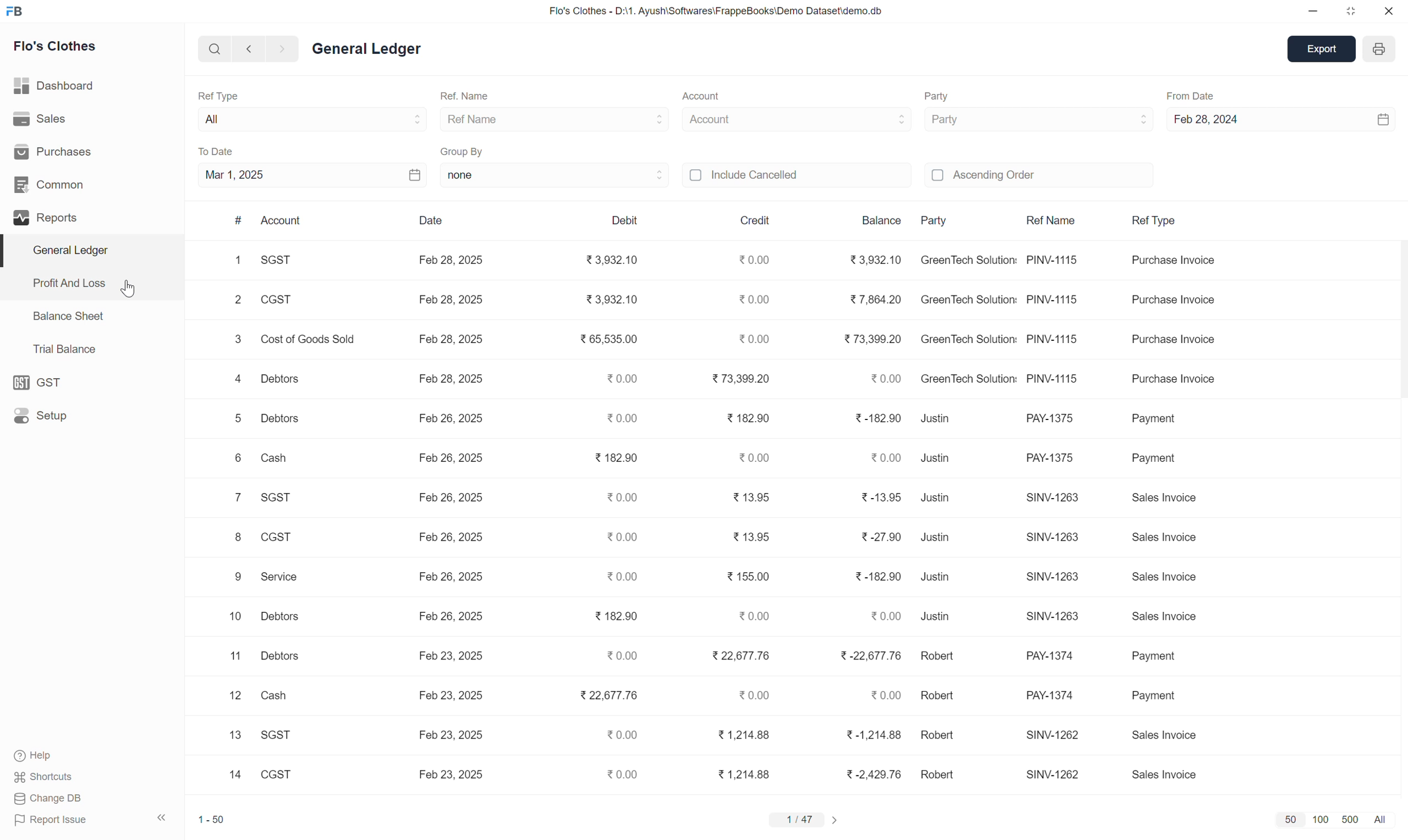 Image resolution: width=1408 pixels, height=840 pixels. Describe the element at coordinates (717, 122) in the screenshot. I see `Account` at that location.